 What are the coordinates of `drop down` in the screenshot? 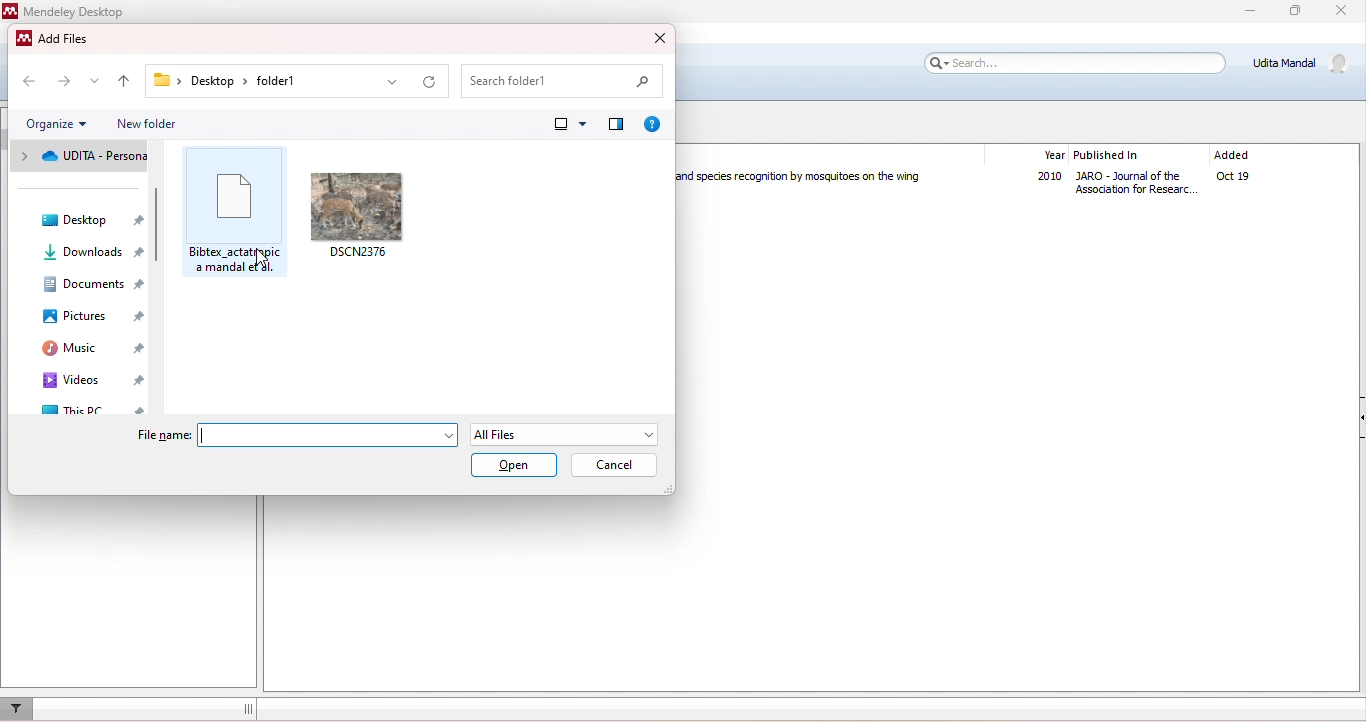 It's located at (449, 435).